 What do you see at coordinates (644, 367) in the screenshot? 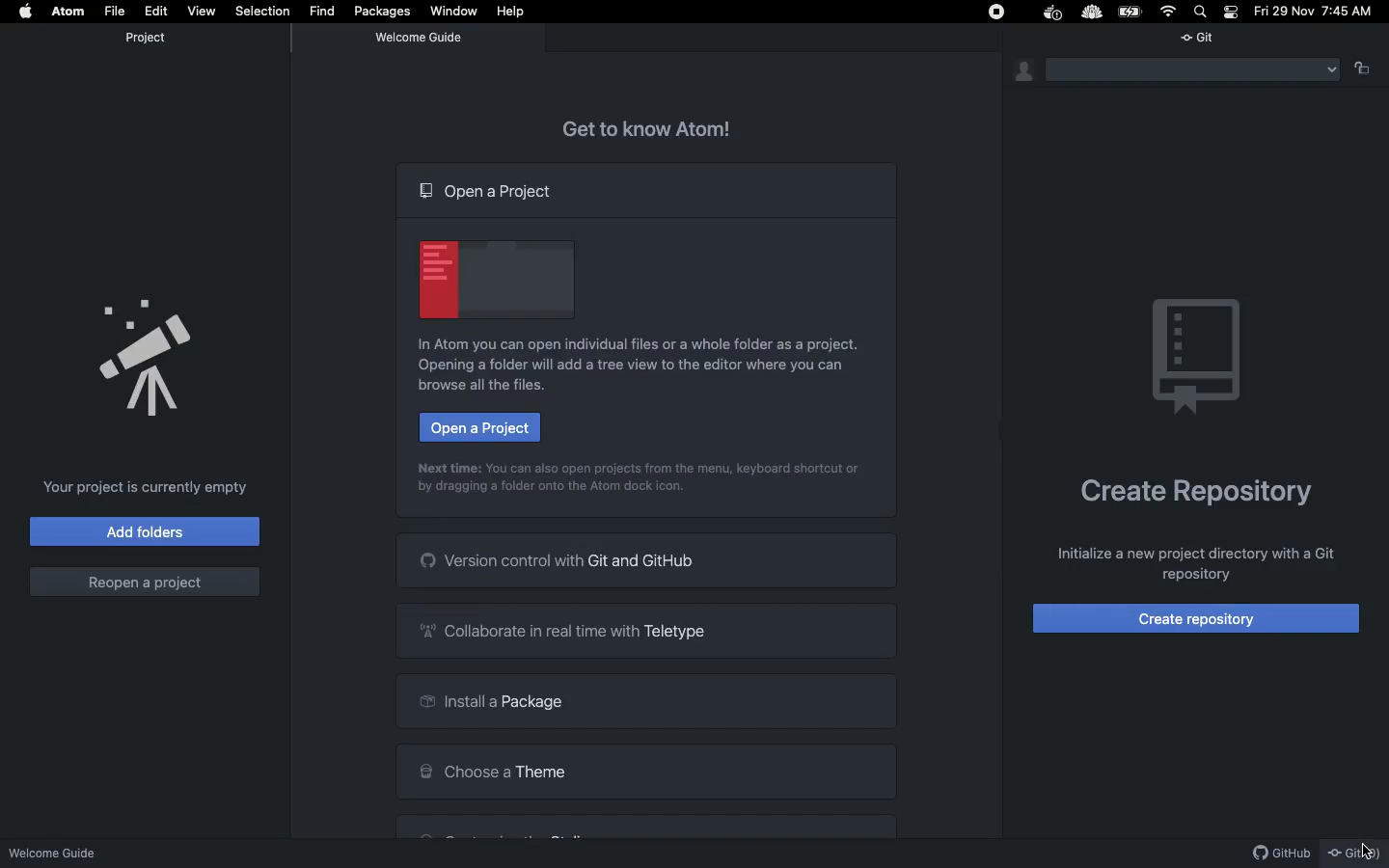
I see `In Atom you can open individual files or a whole folder as a project.
Opening a folder will add a tree view to the editor where you can
browse all the files.` at bounding box center [644, 367].